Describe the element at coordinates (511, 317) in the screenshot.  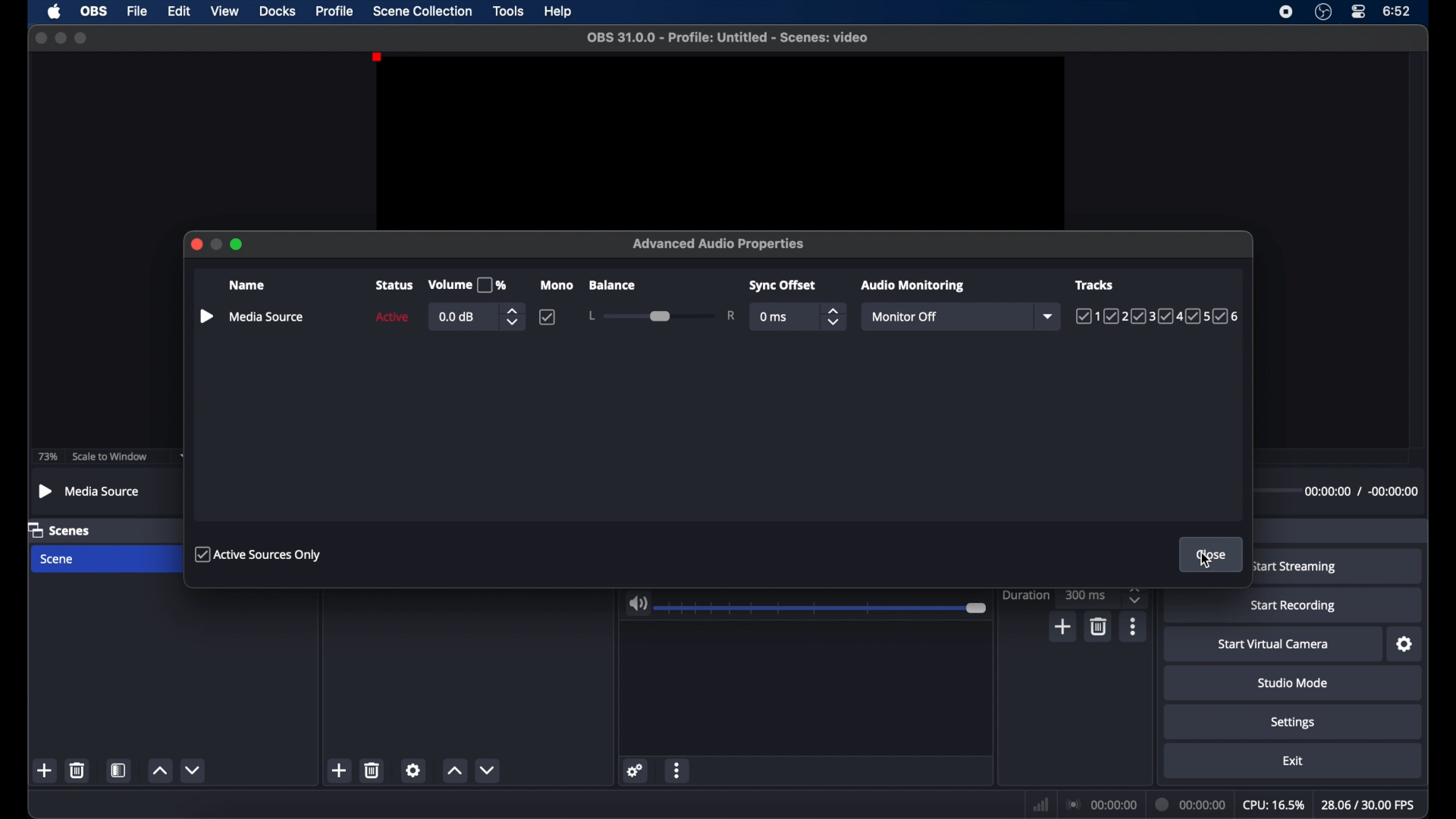
I see `stepper button` at that location.